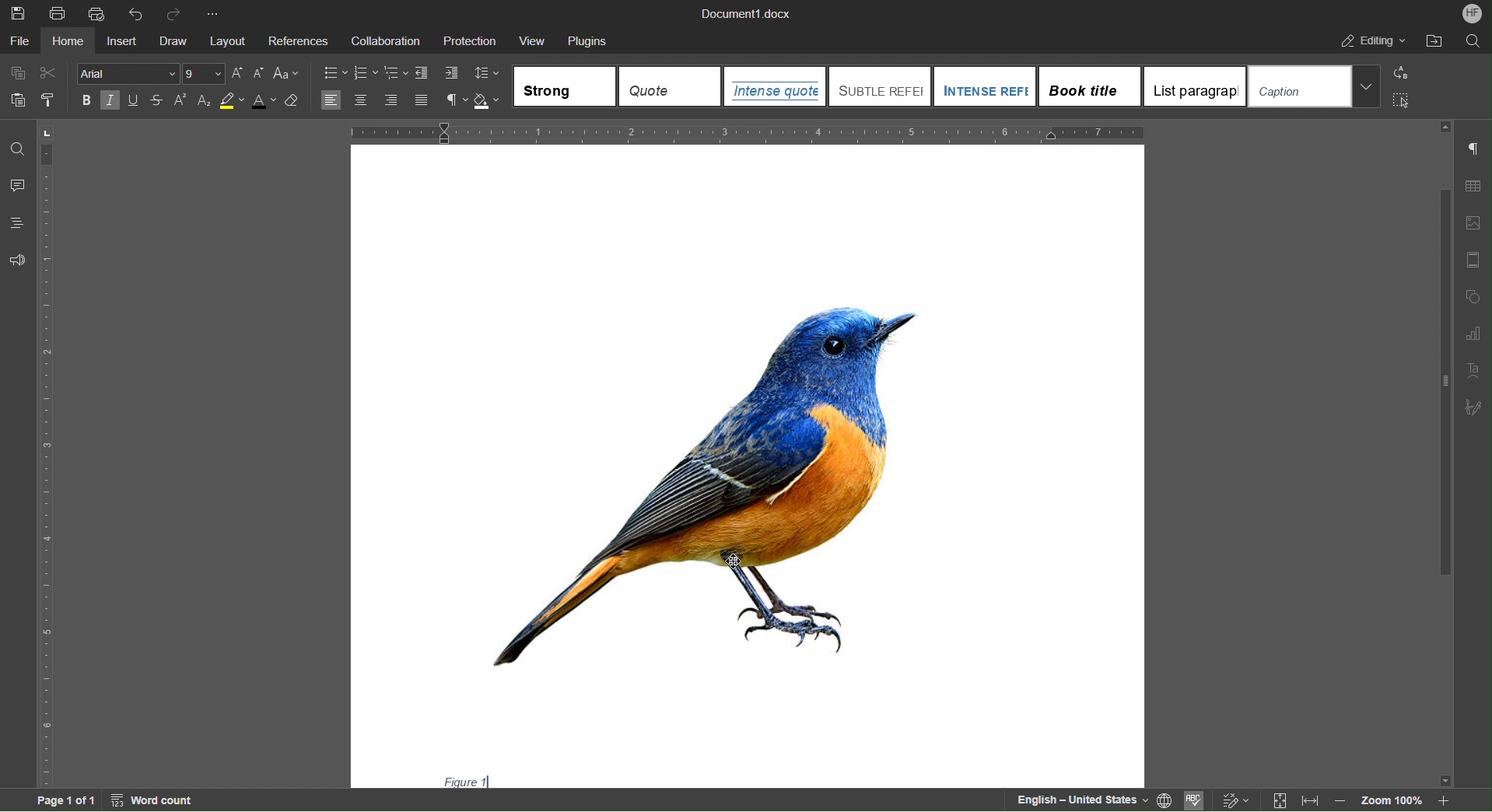 This screenshot has height=812, width=1492. Describe the element at coordinates (469, 42) in the screenshot. I see `Protection` at that location.